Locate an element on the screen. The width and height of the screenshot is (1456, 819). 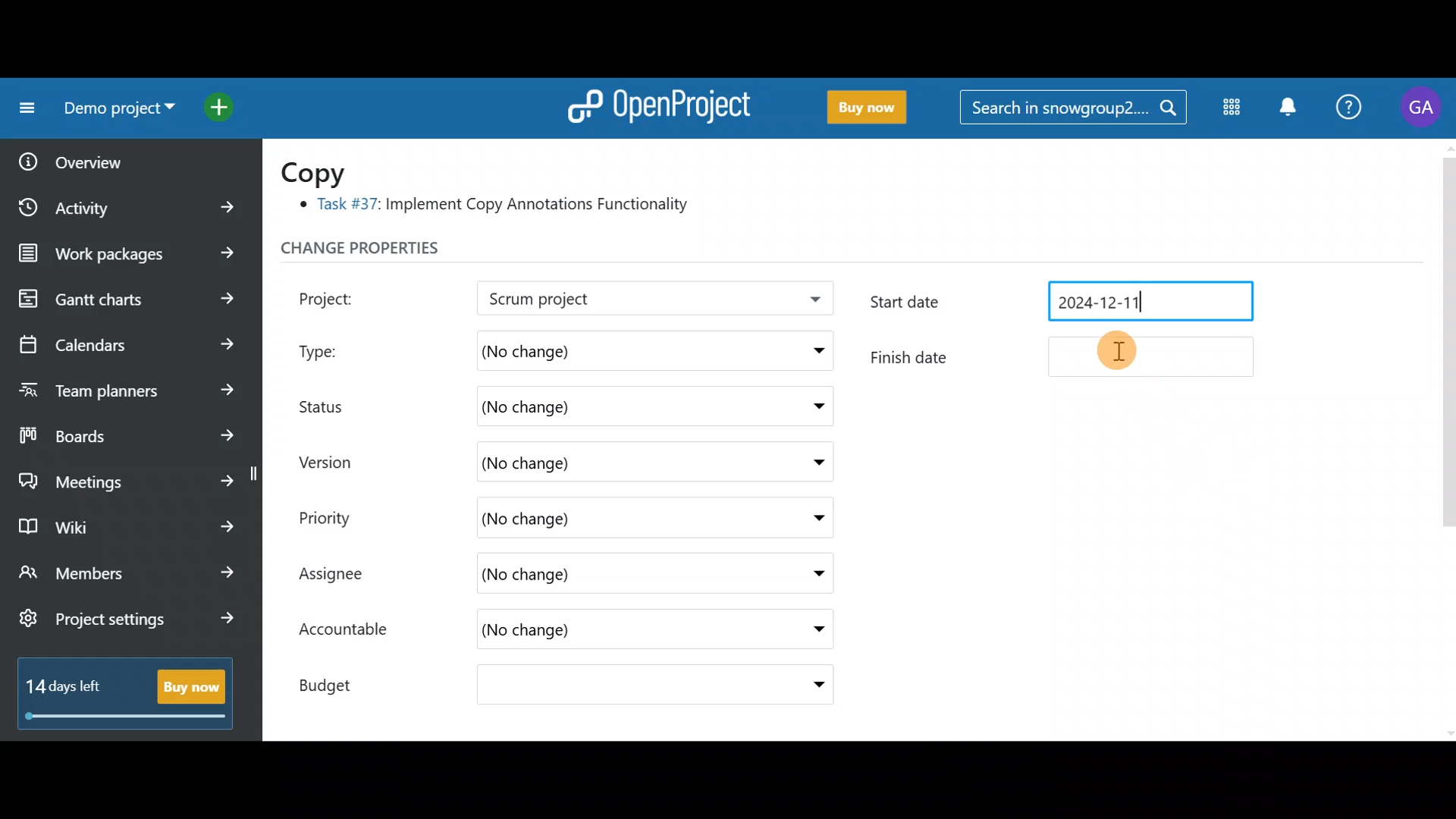
Buy now is located at coordinates (860, 108).